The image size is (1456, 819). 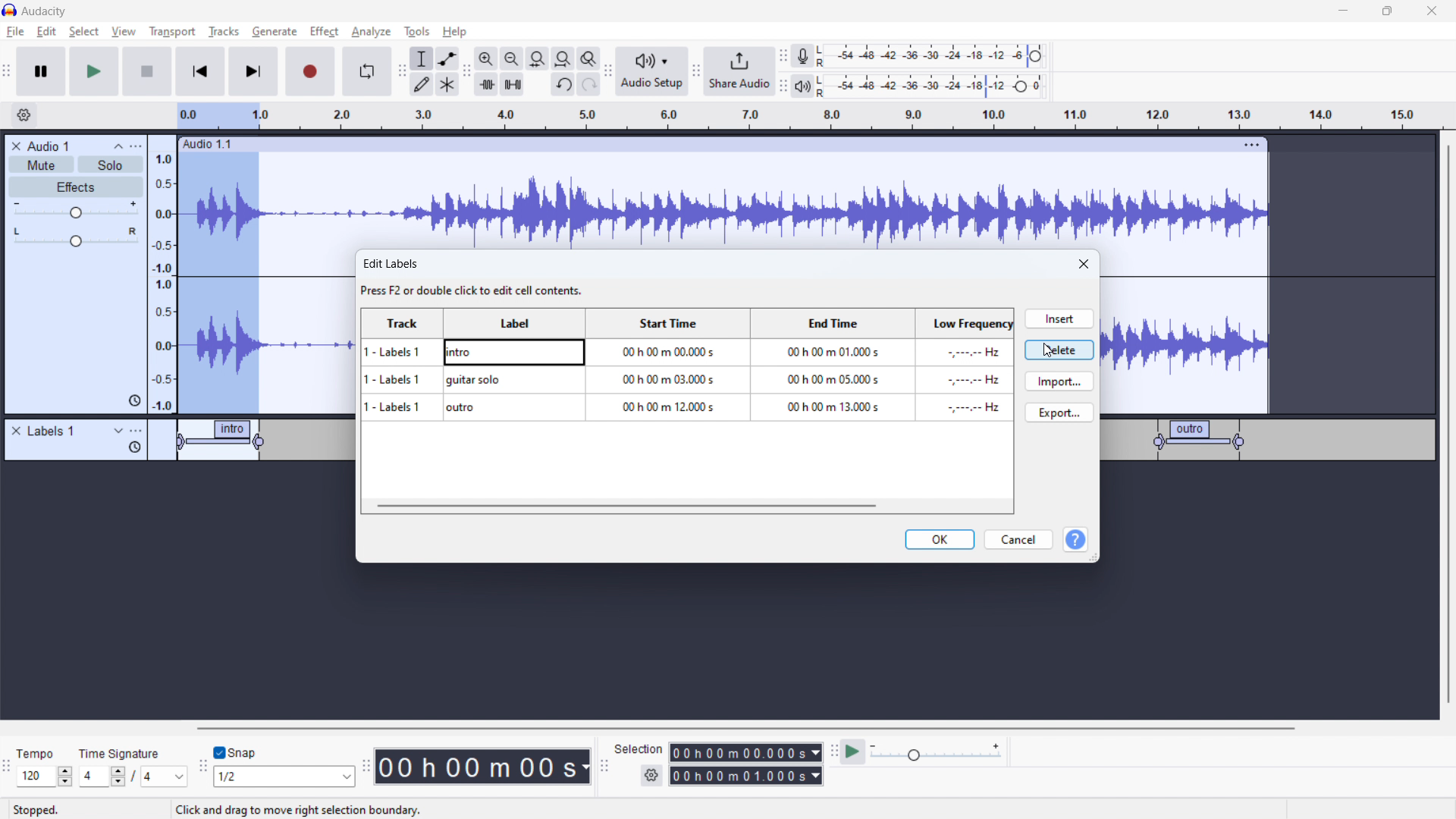 I want to click on close, so click(x=1085, y=265).